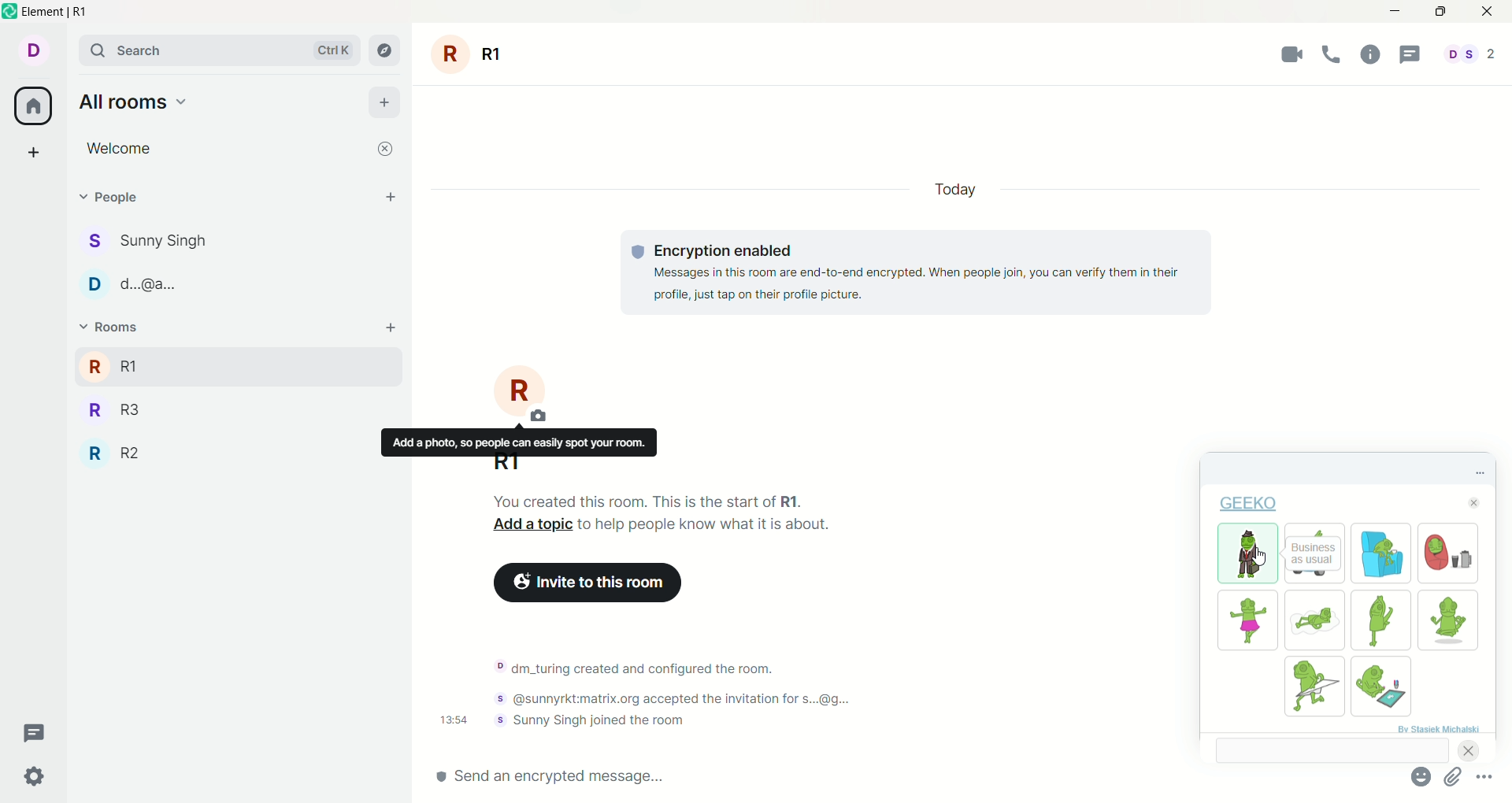 The width and height of the screenshot is (1512, 803). What do you see at coordinates (521, 393) in the screenshot?
I see `Click to change image of current room` at bounding box center [521, 393].